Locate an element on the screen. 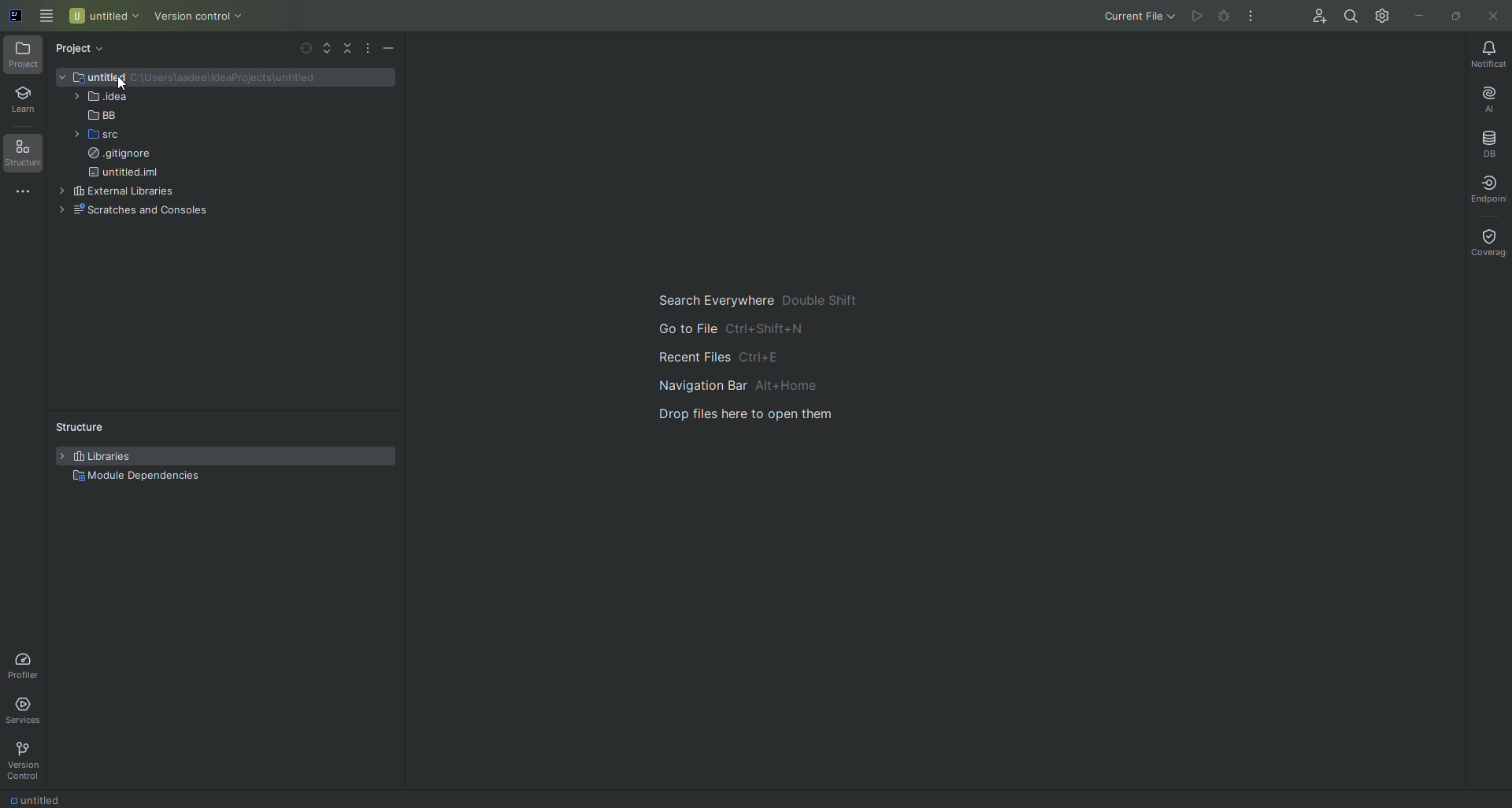 This screenshot has height=808, width=1512. Profiler is located at coordinates (25, 665).